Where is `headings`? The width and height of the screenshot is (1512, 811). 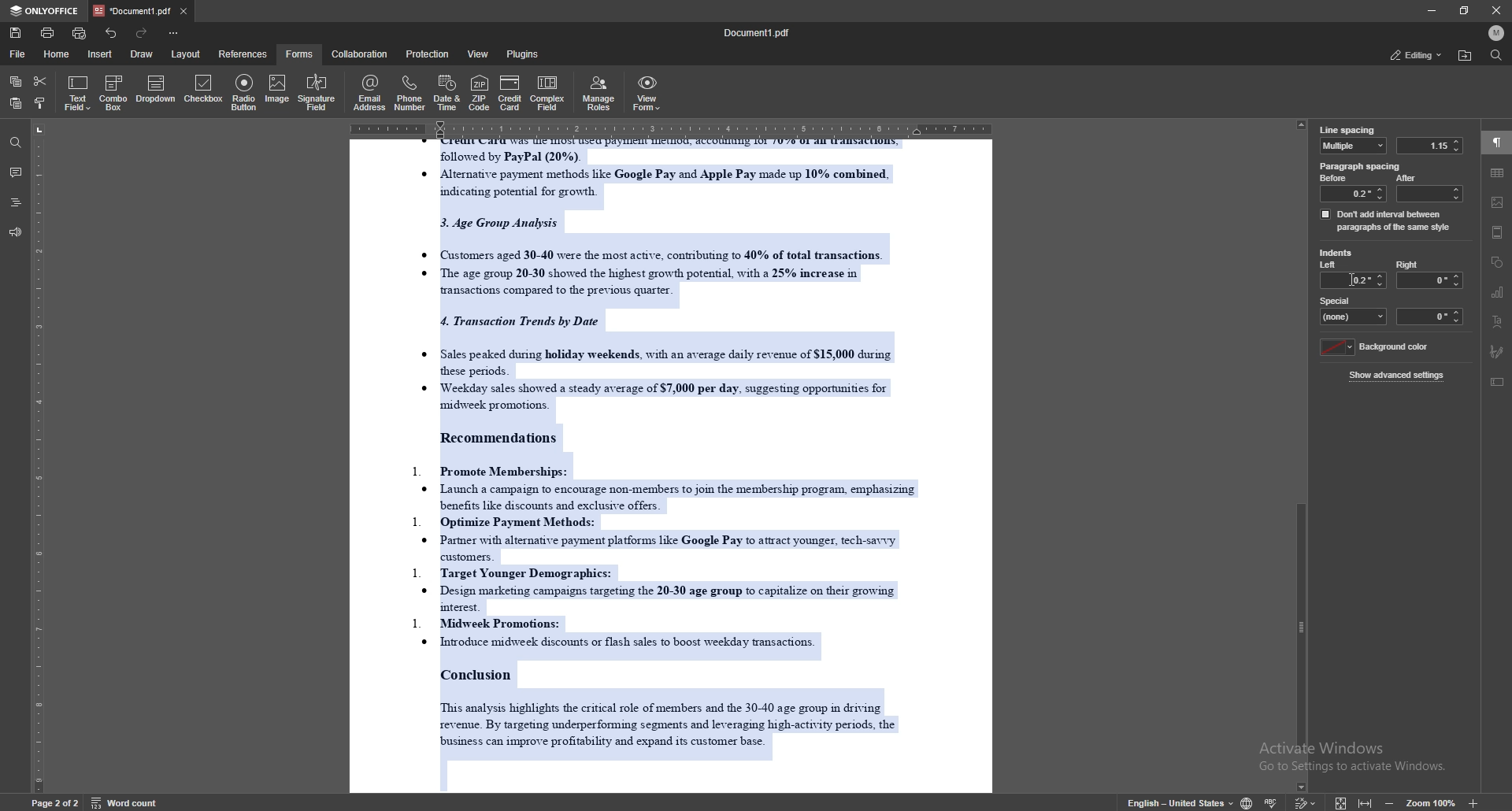
headings is located at coordinates (16, 202).